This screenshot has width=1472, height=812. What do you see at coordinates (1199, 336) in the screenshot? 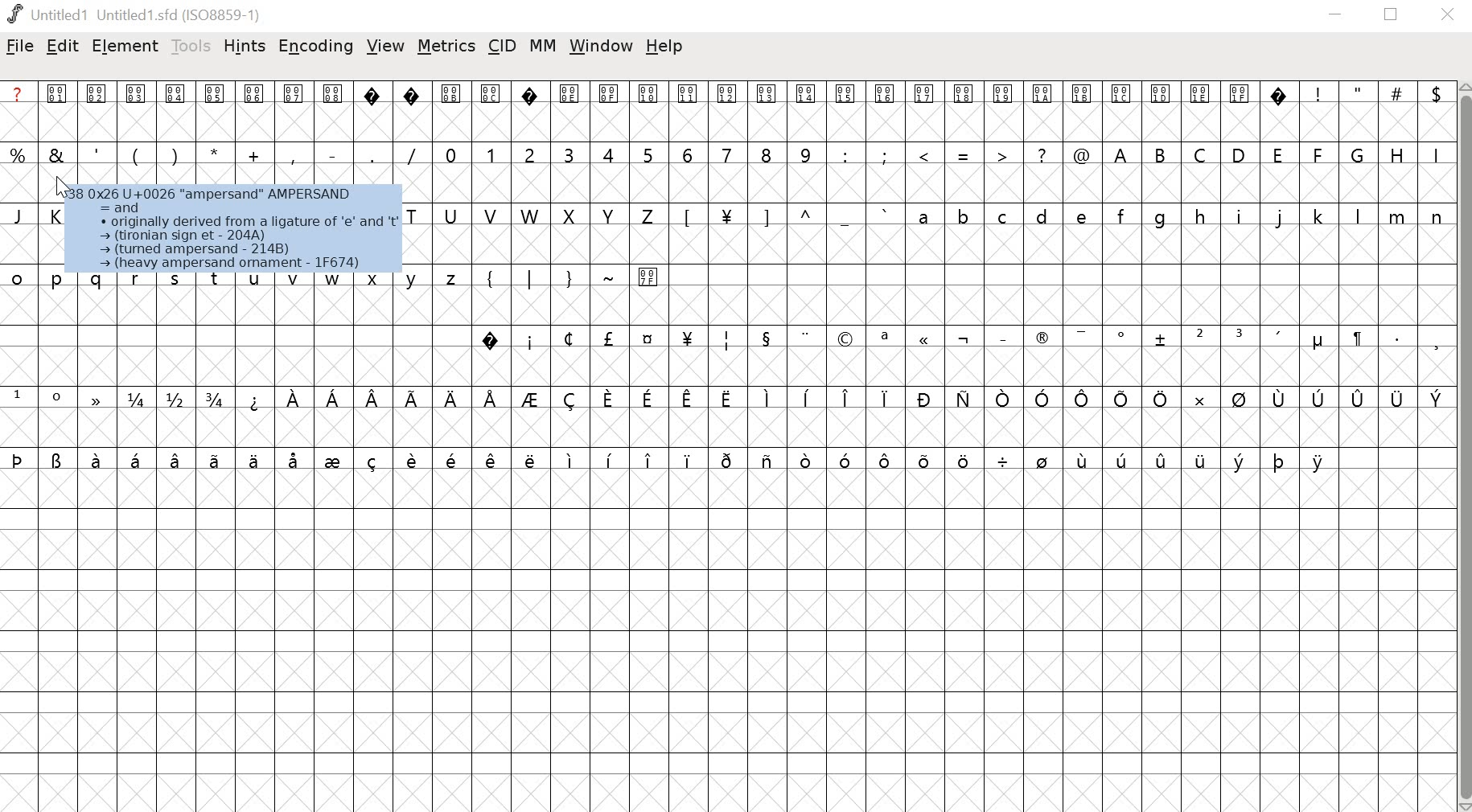
I see `2` at bounding box center [1199, 336].